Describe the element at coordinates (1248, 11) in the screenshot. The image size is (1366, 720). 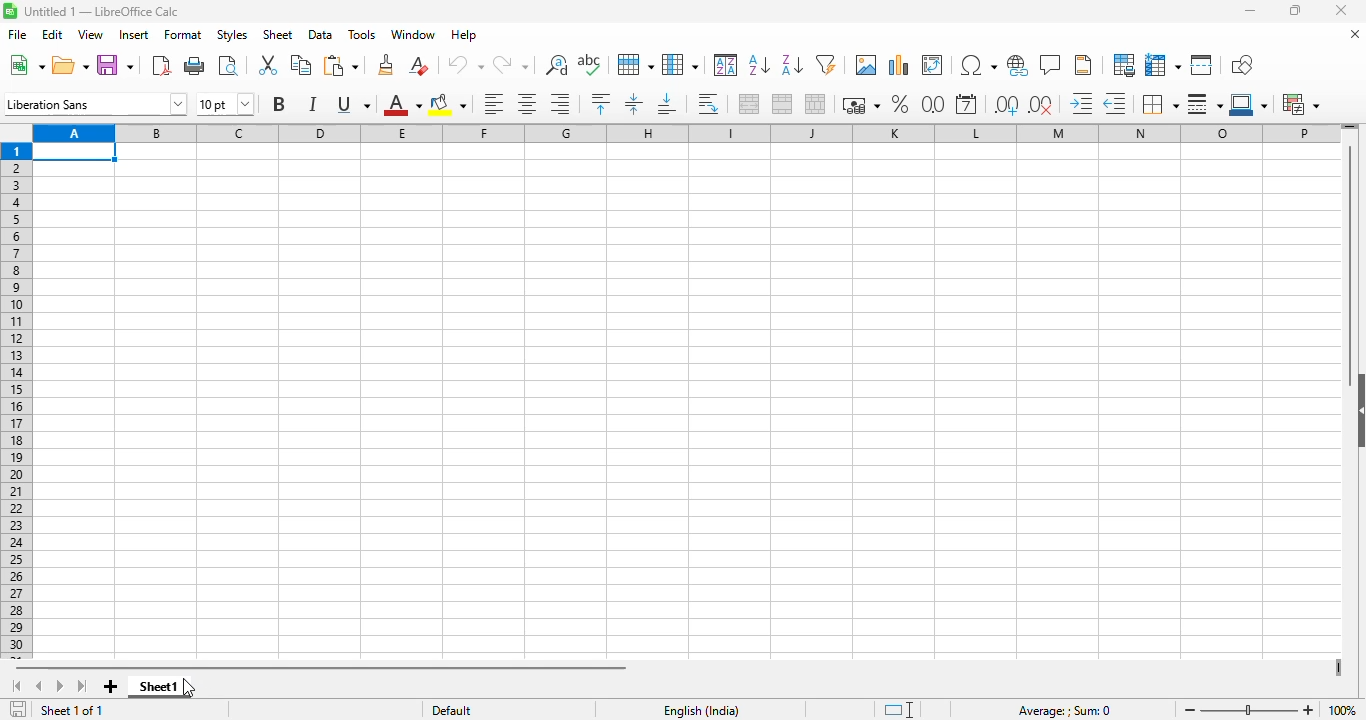
I see `minimize` at that location.